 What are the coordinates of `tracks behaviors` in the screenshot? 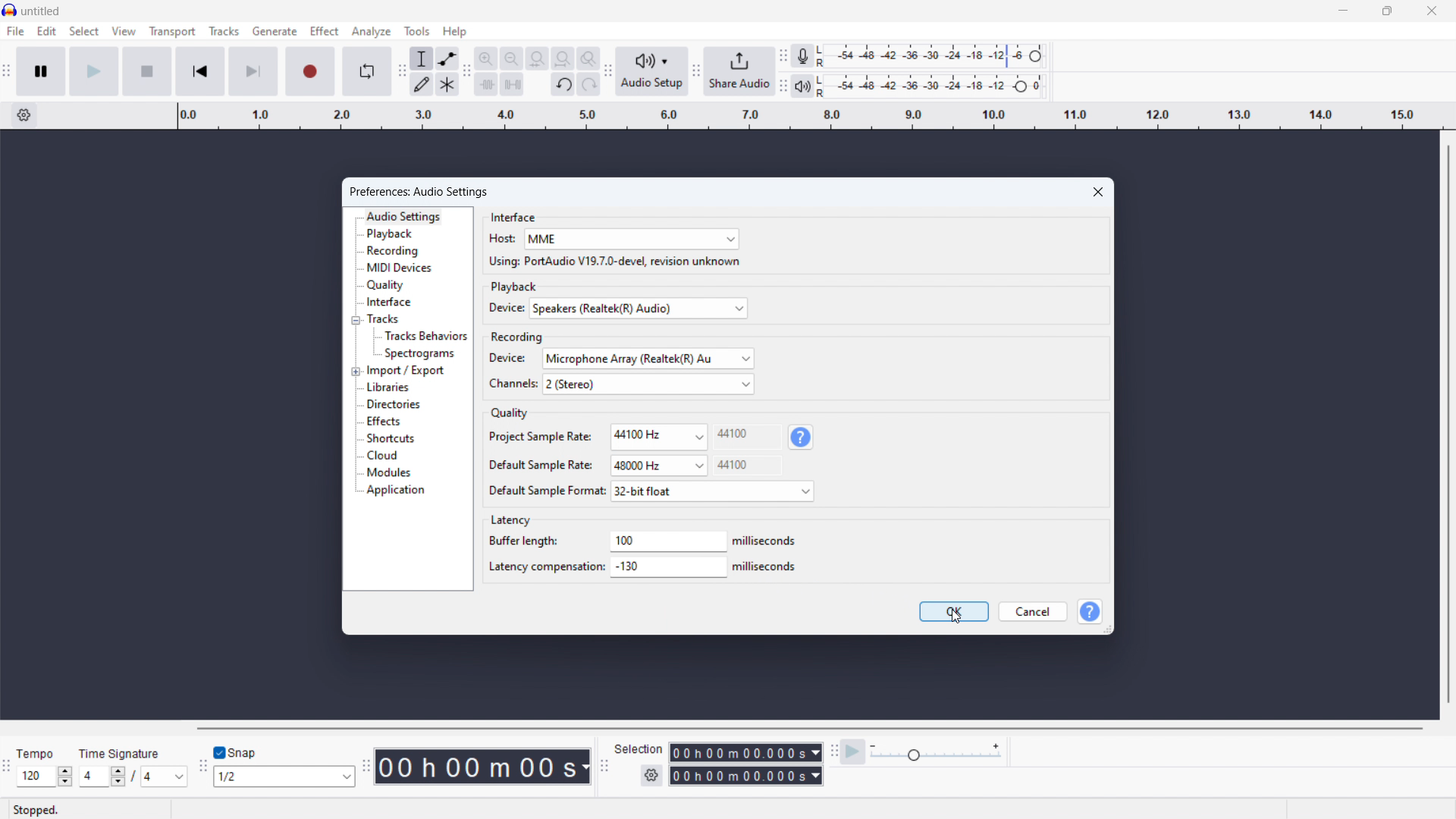 It's located at (425, 337).